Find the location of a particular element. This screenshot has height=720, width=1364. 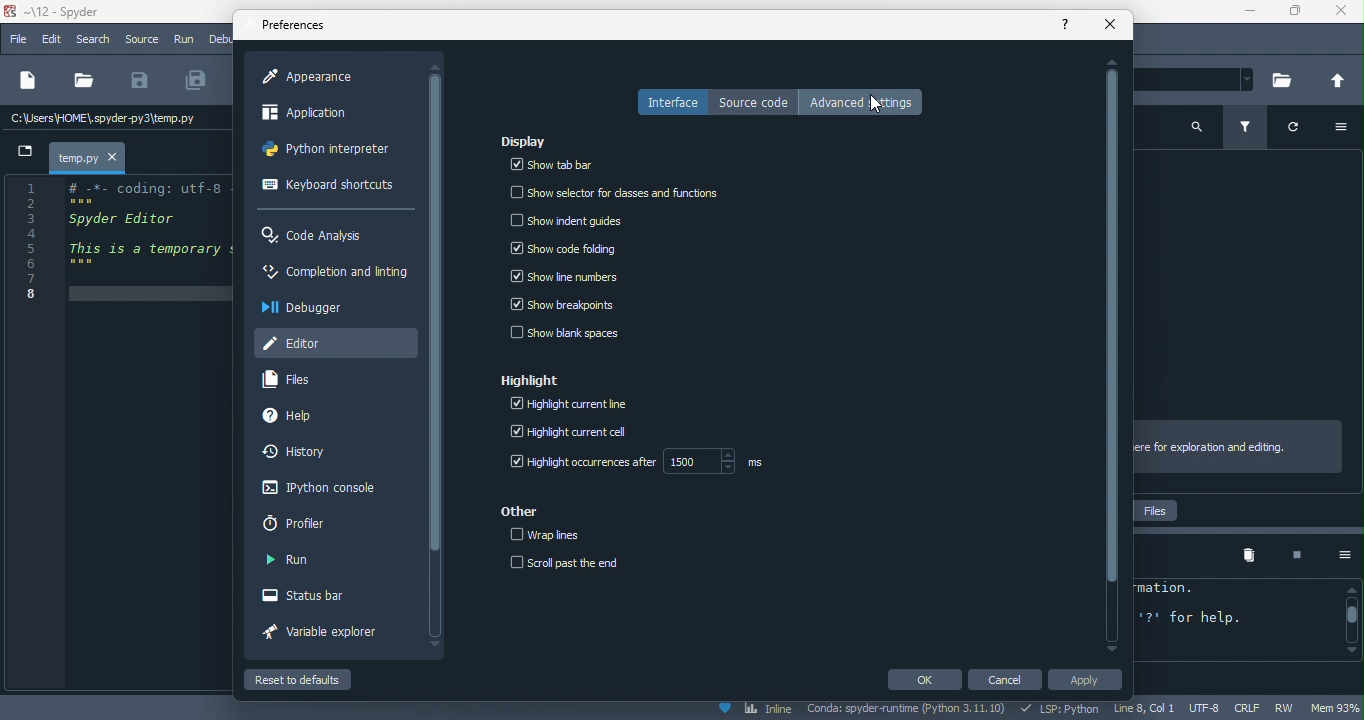

search is located at coordinates (1197, 125).